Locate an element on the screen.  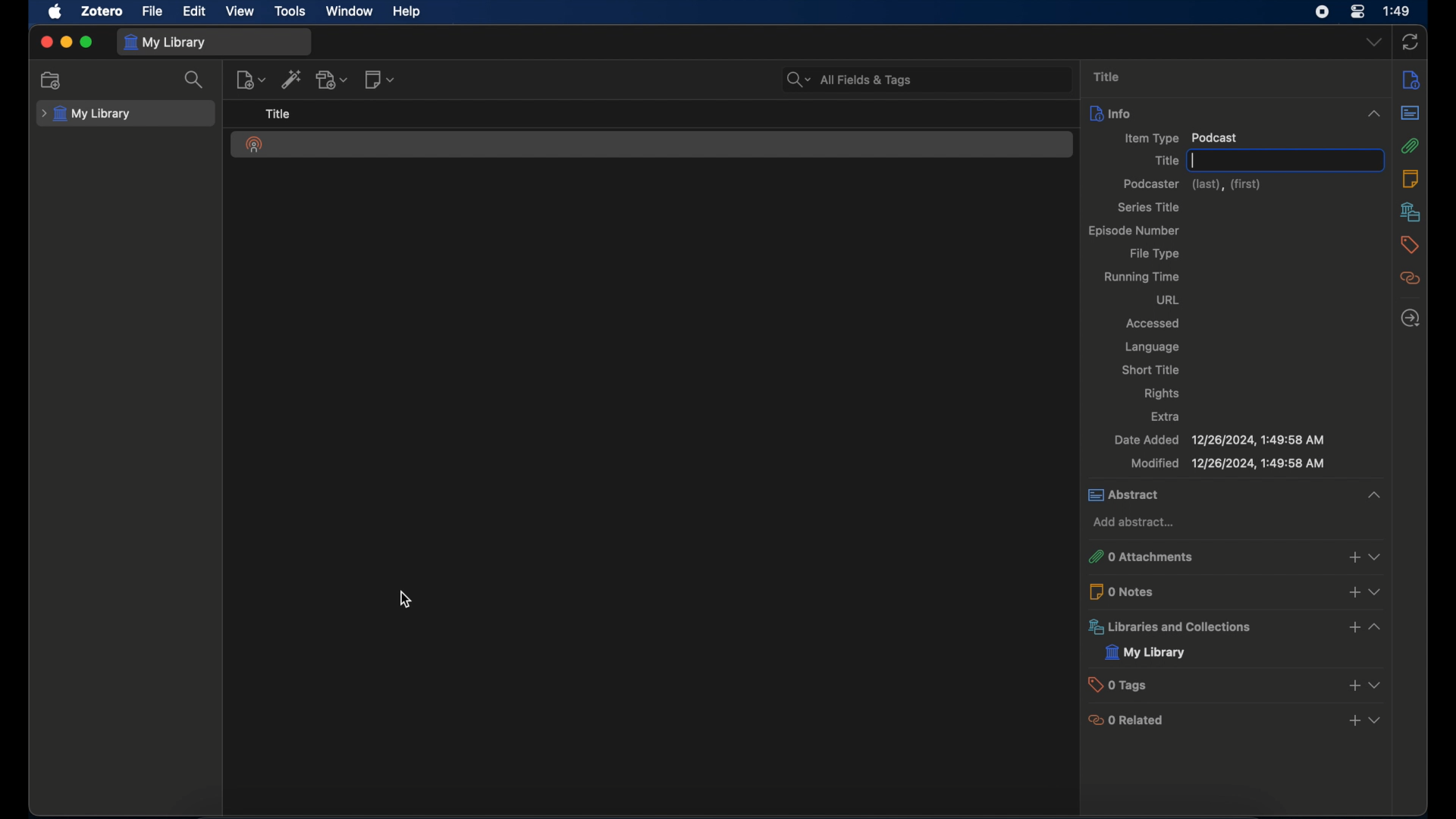
close is located at coordinates (45, 42).